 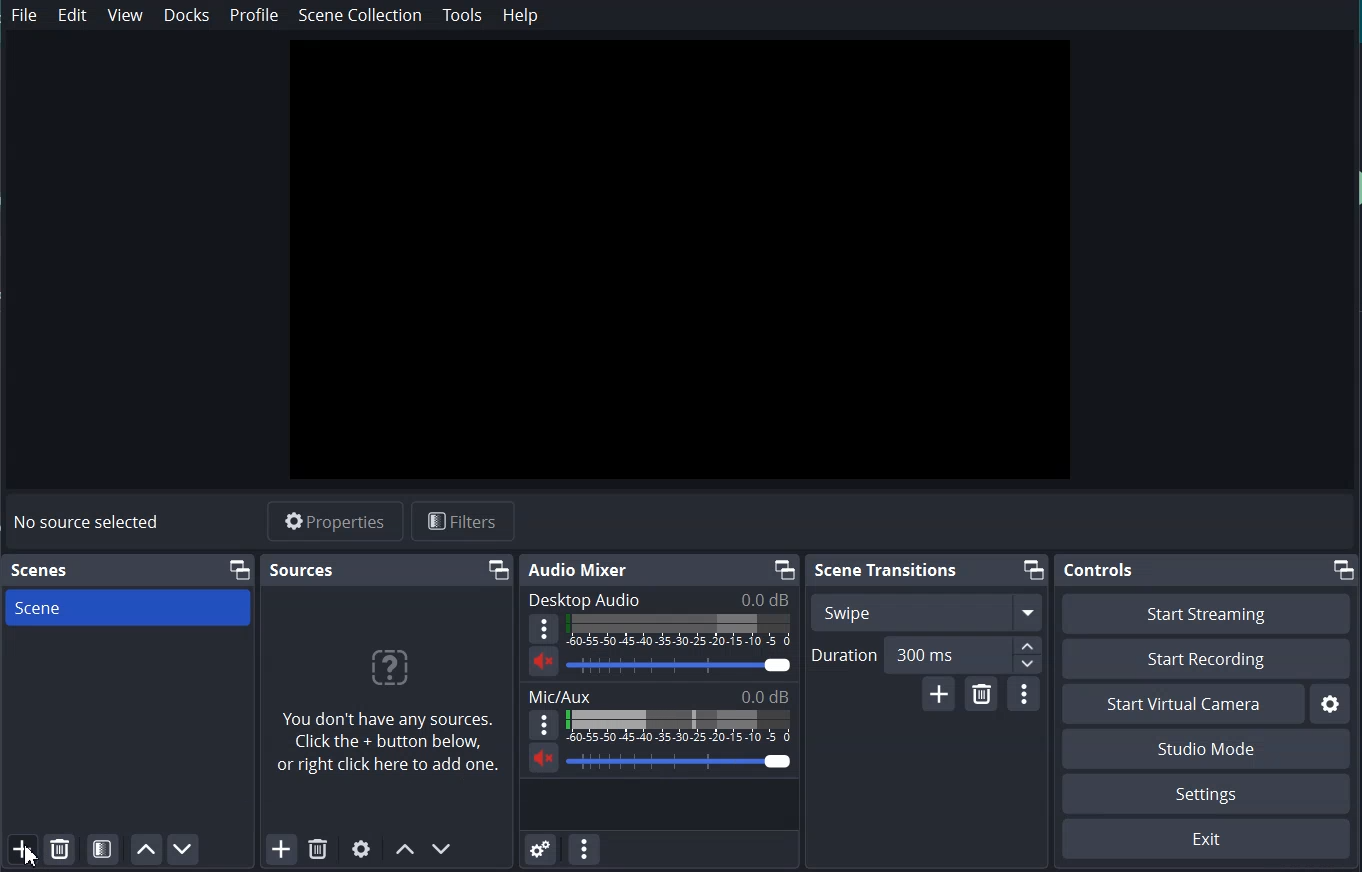 I want to click on Start Recording, so click(x=1207, y=658).